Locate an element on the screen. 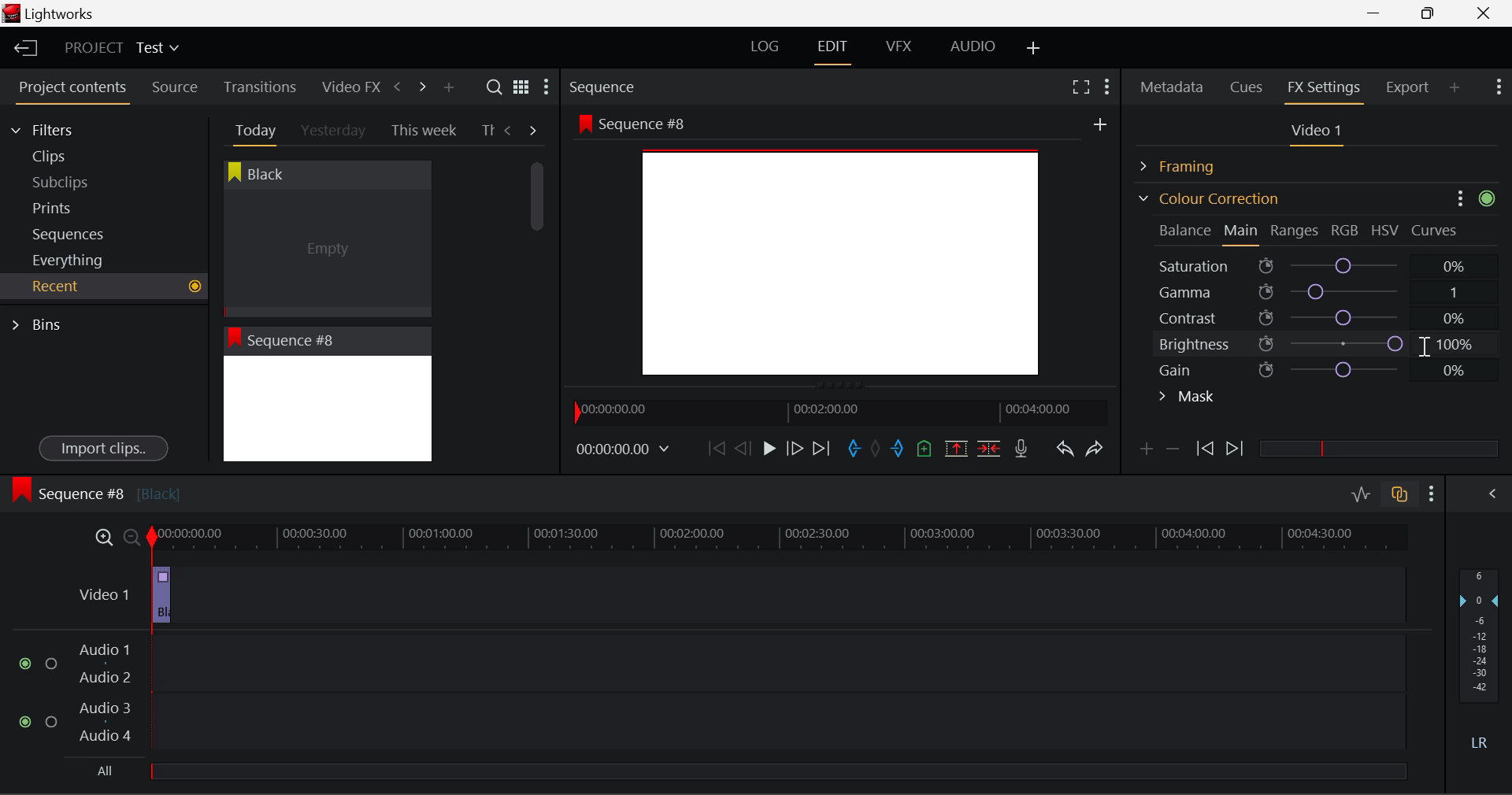 This screenshot has height=795, width=1512. slider is located at coordinates (1378, 448).